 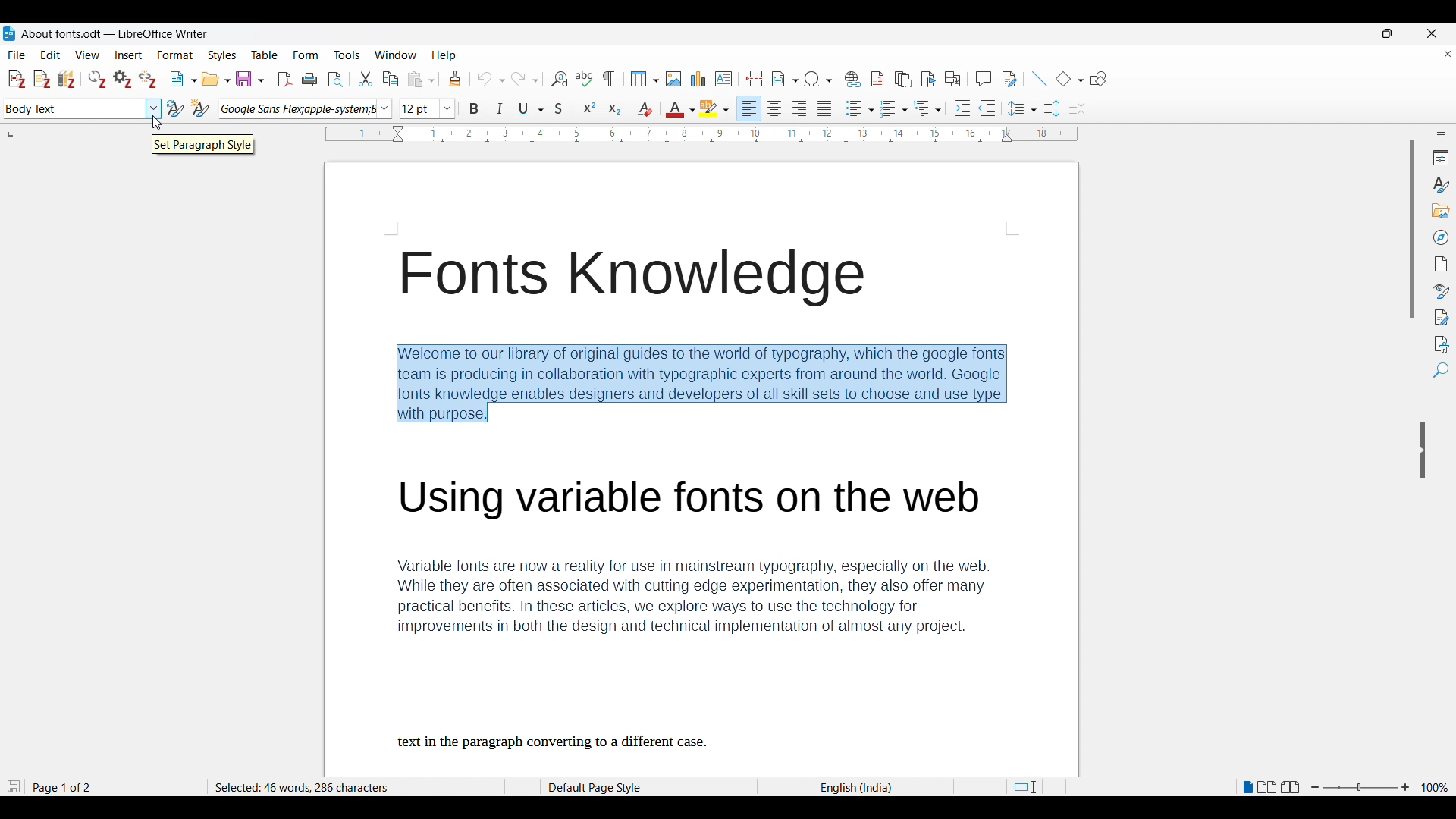 I want to click on fit to page, so click(x=1027, y=788).